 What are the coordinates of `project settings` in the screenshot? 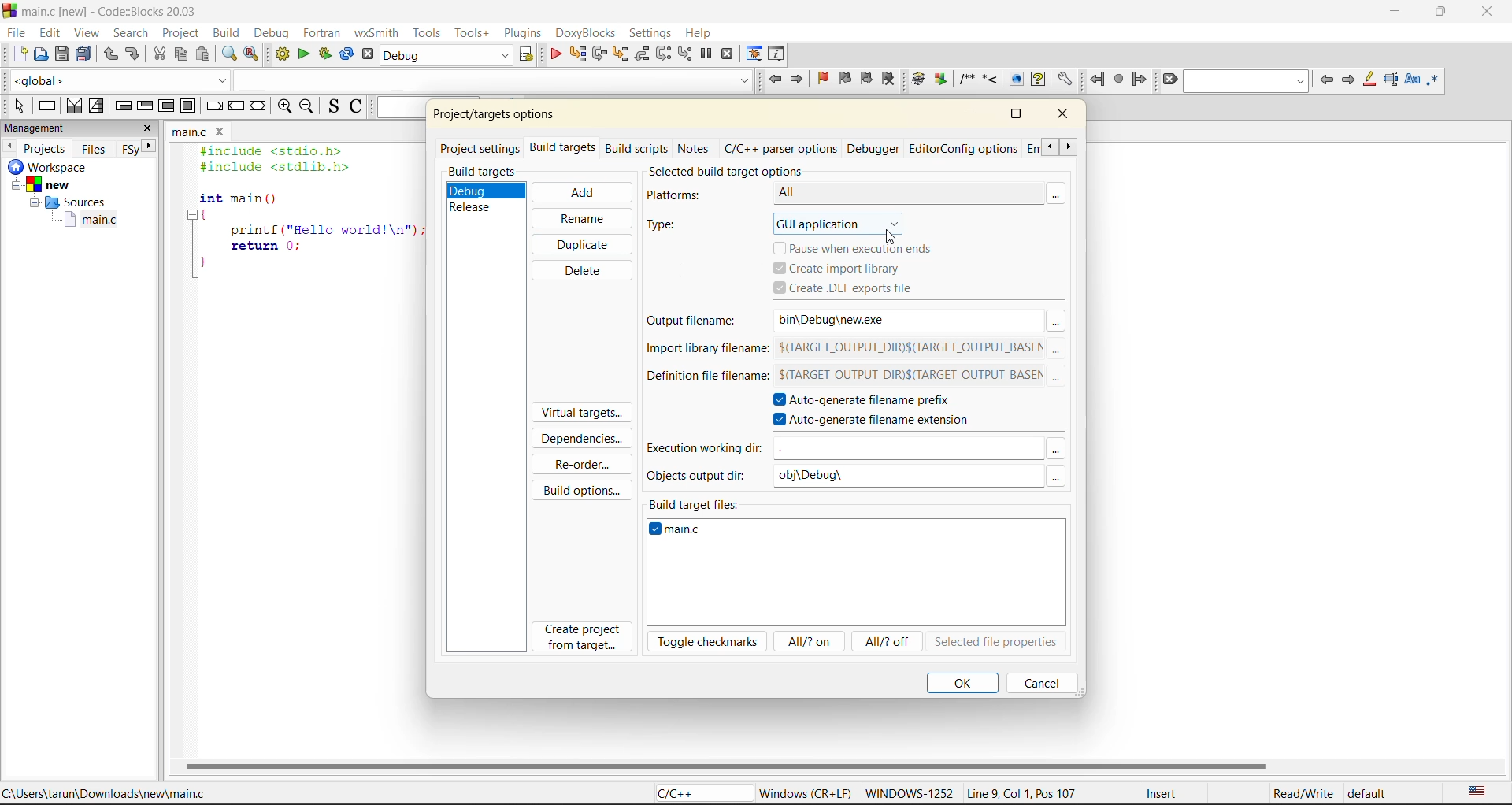 It's located at (482, 147).